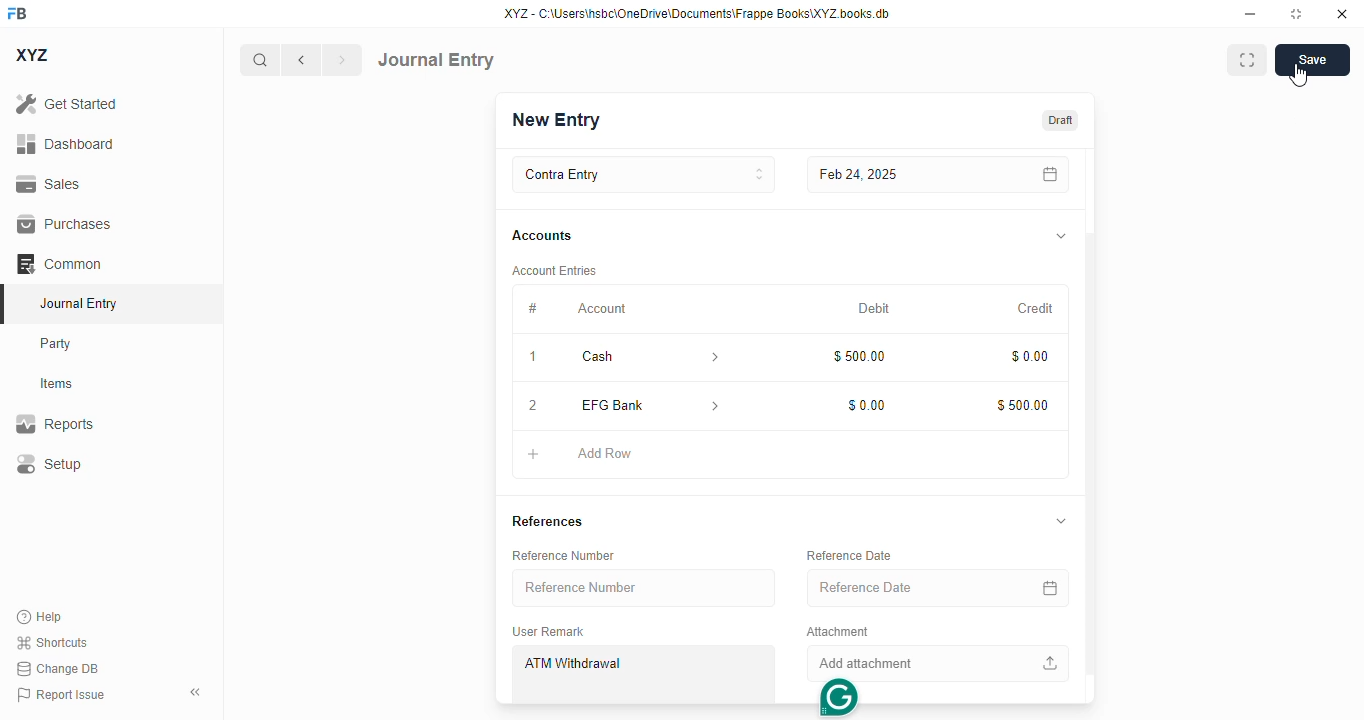  I want to click on XYZ - C:\Users\hsbc\OneDrive\Documents\Frappe Books\XYZ books. db, so click(697, 14).